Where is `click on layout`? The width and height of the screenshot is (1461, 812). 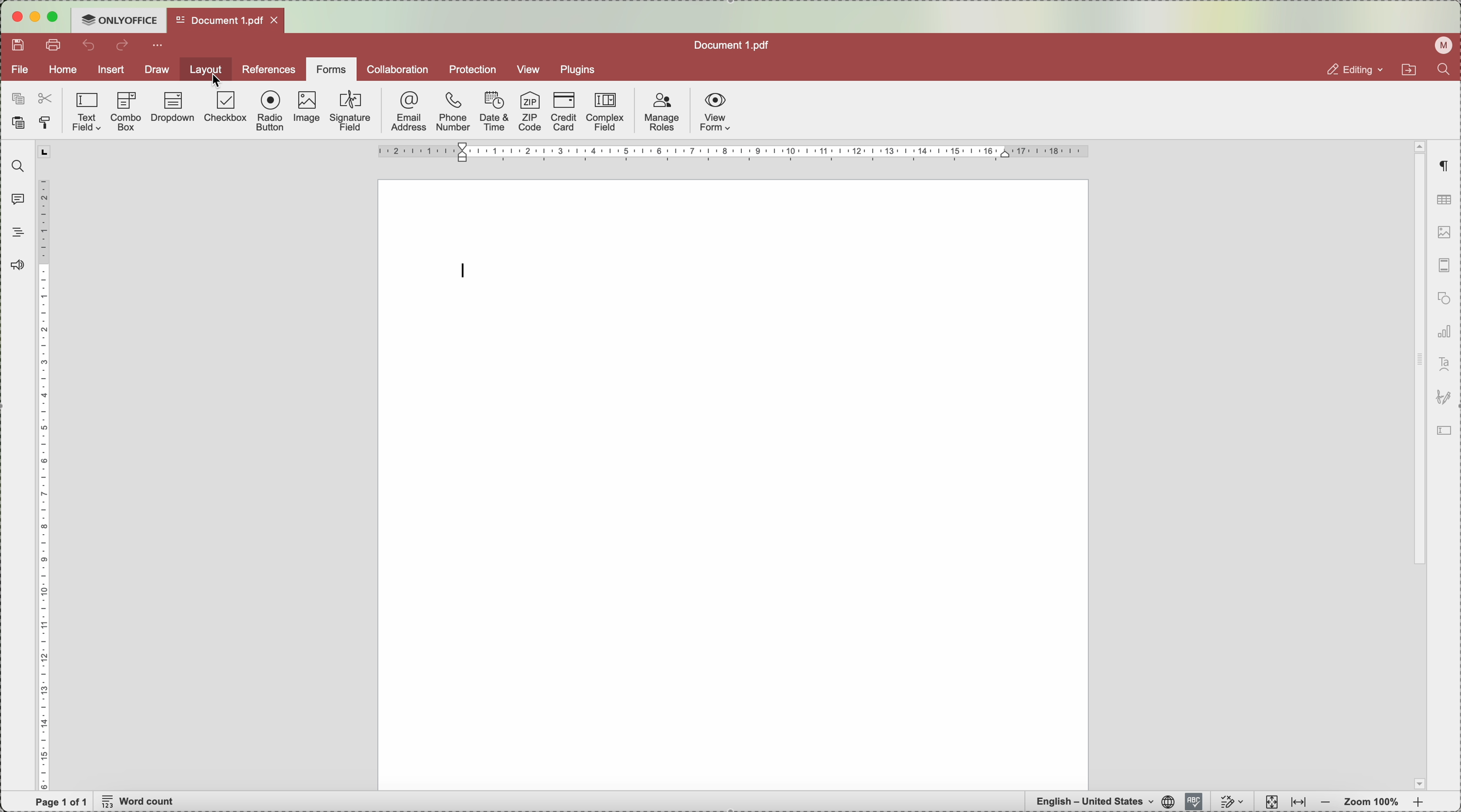
click on layout is located at coordinates (204, 73).